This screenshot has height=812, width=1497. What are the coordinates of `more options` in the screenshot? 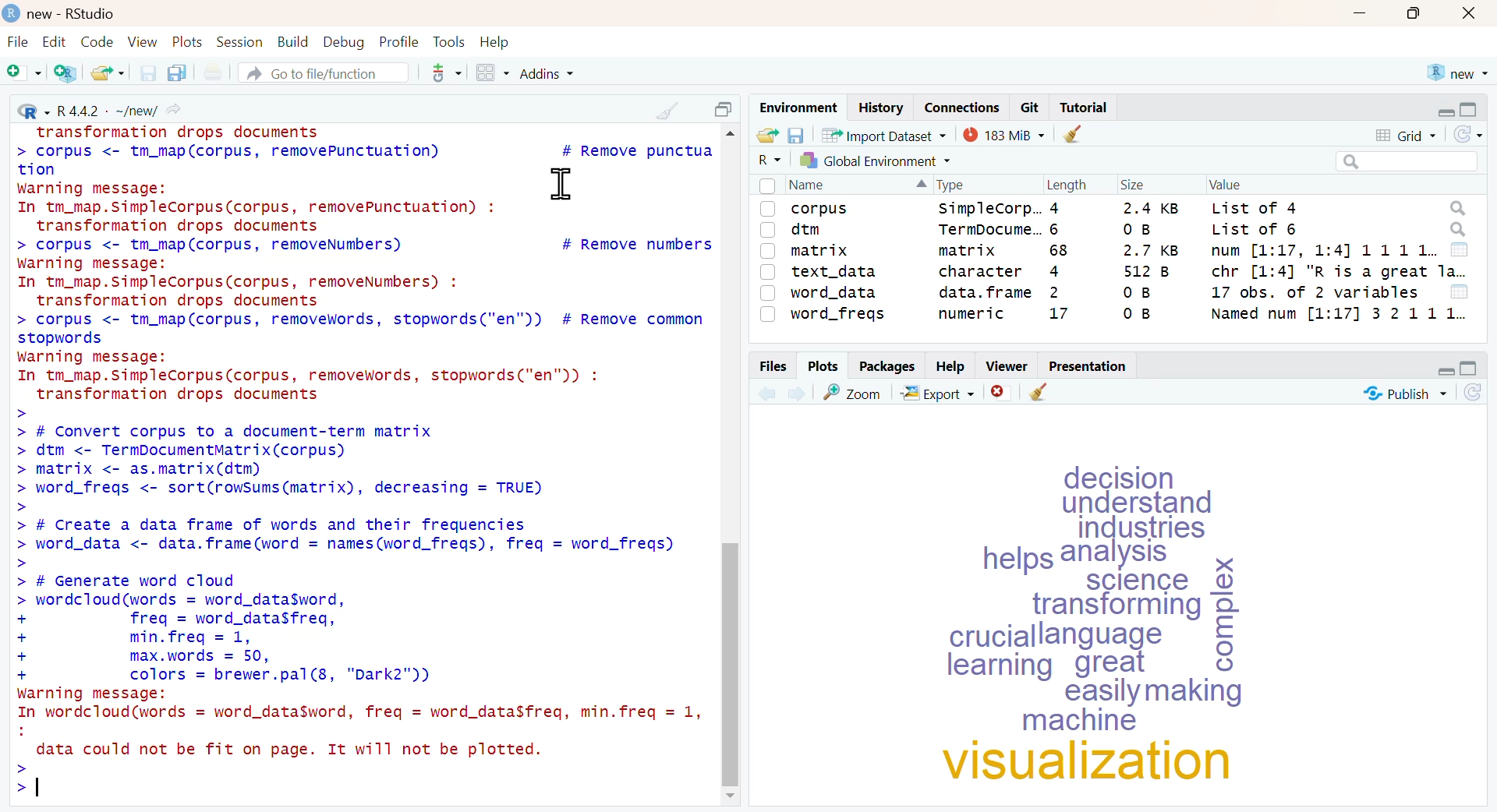 It's located at (445, 72).